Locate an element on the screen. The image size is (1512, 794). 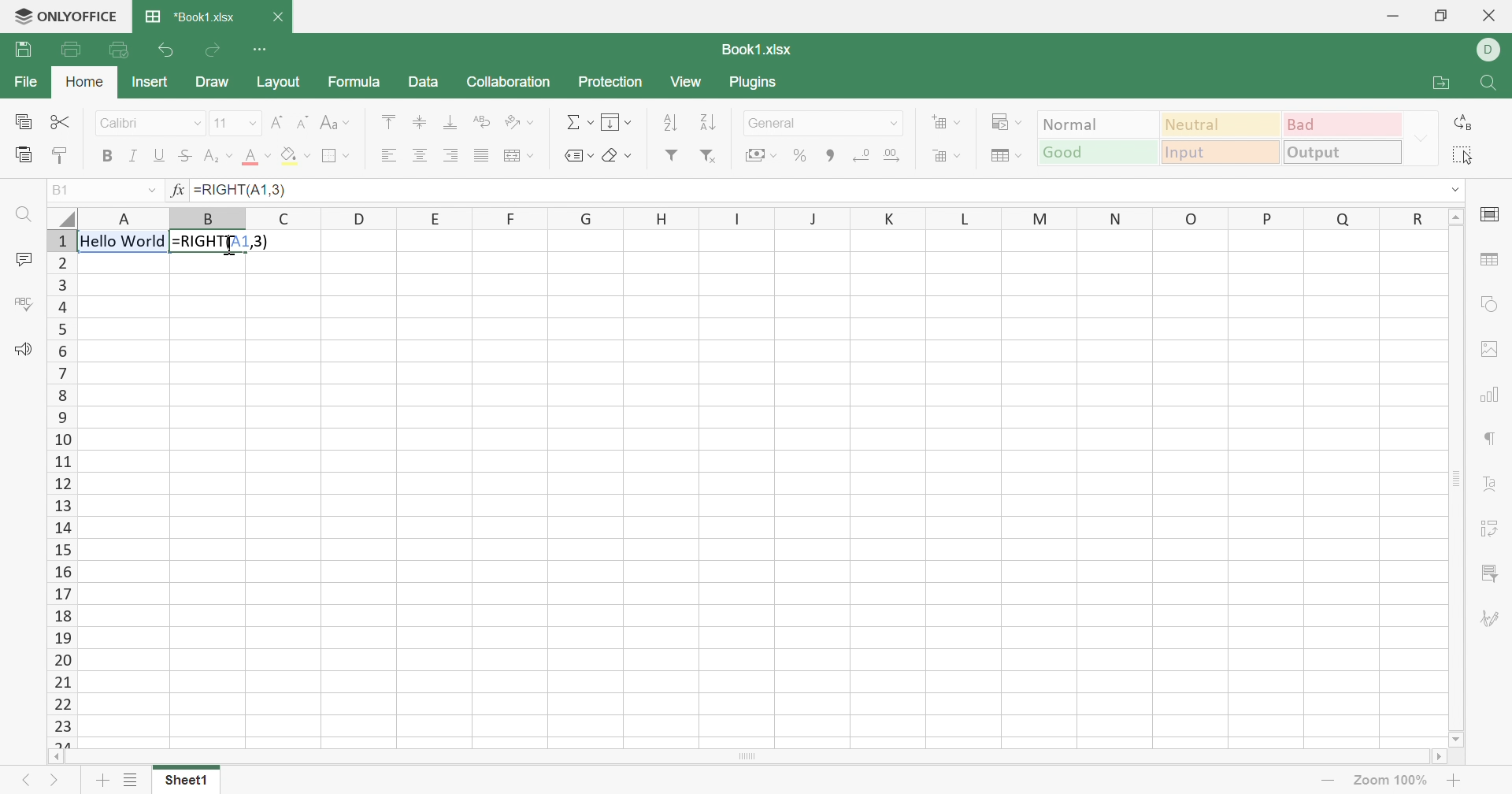
Increase cells is located at coordinates (944, 122).